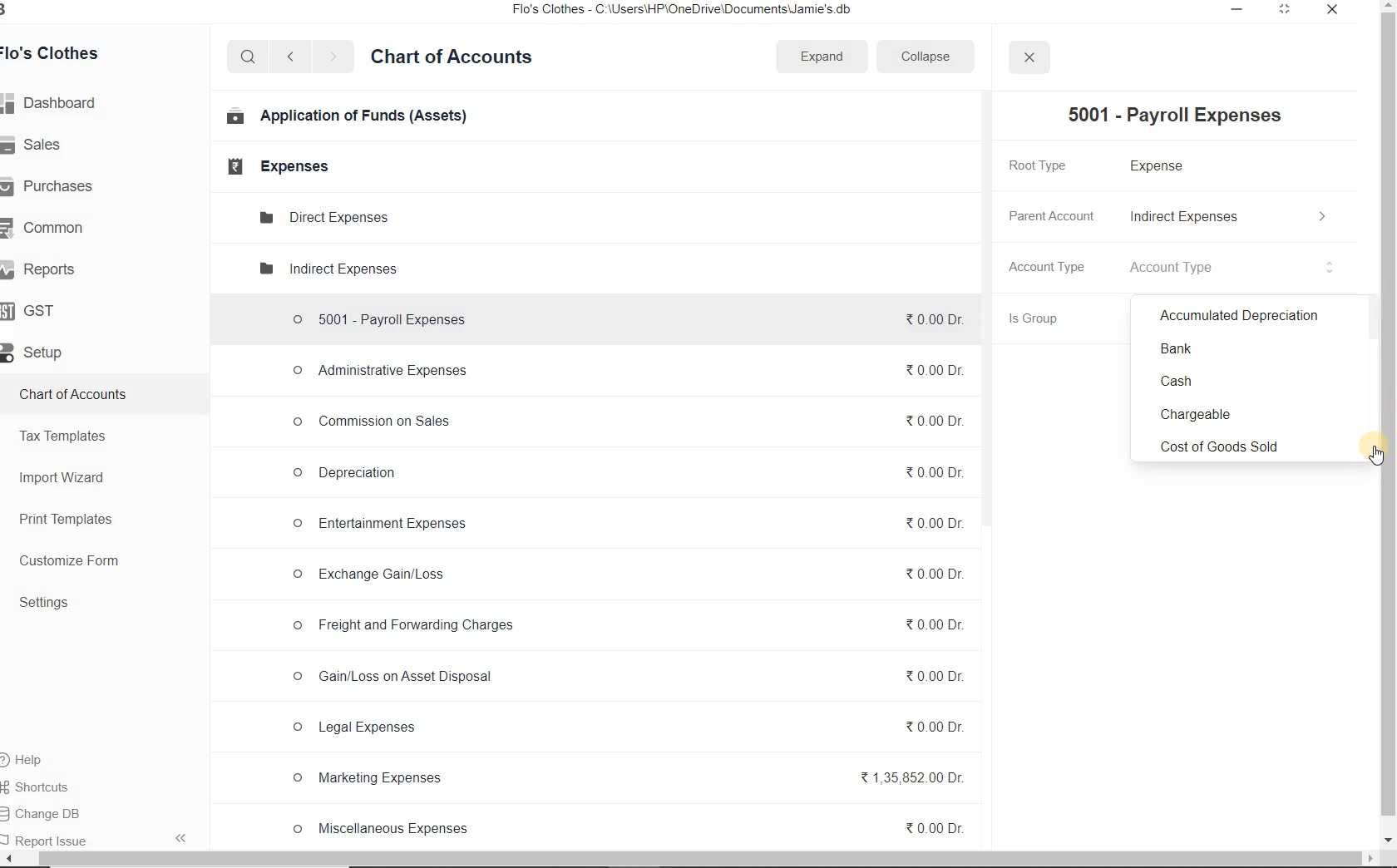  Describe the element at coordinates (336, 58) in the screenshot. I see `next` at that location.